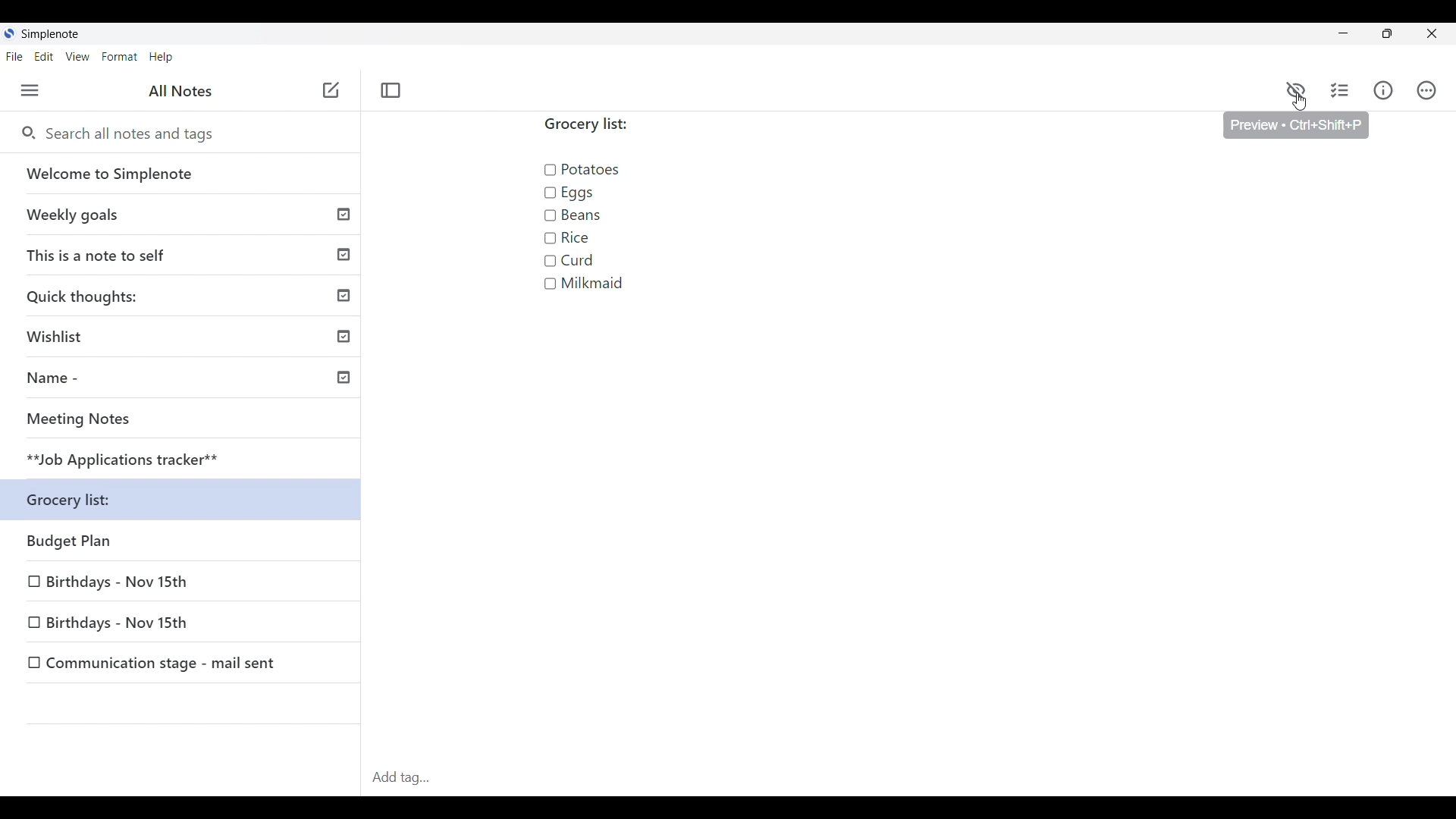  What do you see at coordinates (127, 133) in the screenshot?
I see `Search all notes and tags` at bounding box center [127, 133].